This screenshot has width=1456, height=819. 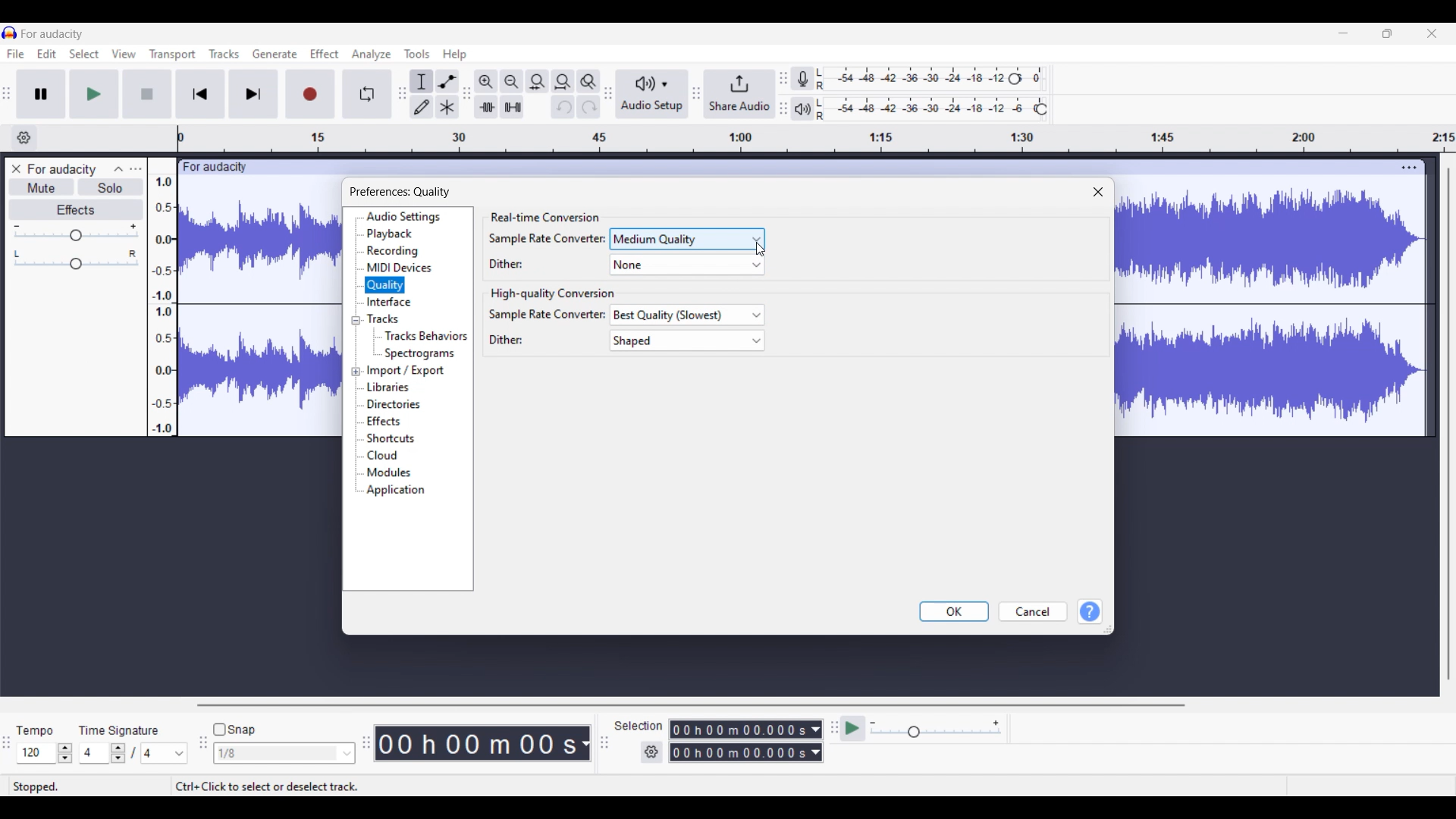 What do you see at coordinates (64, 753) in the screenshot?
I see `Increase/Decrease Tempo` at bounding box center [64, 753].